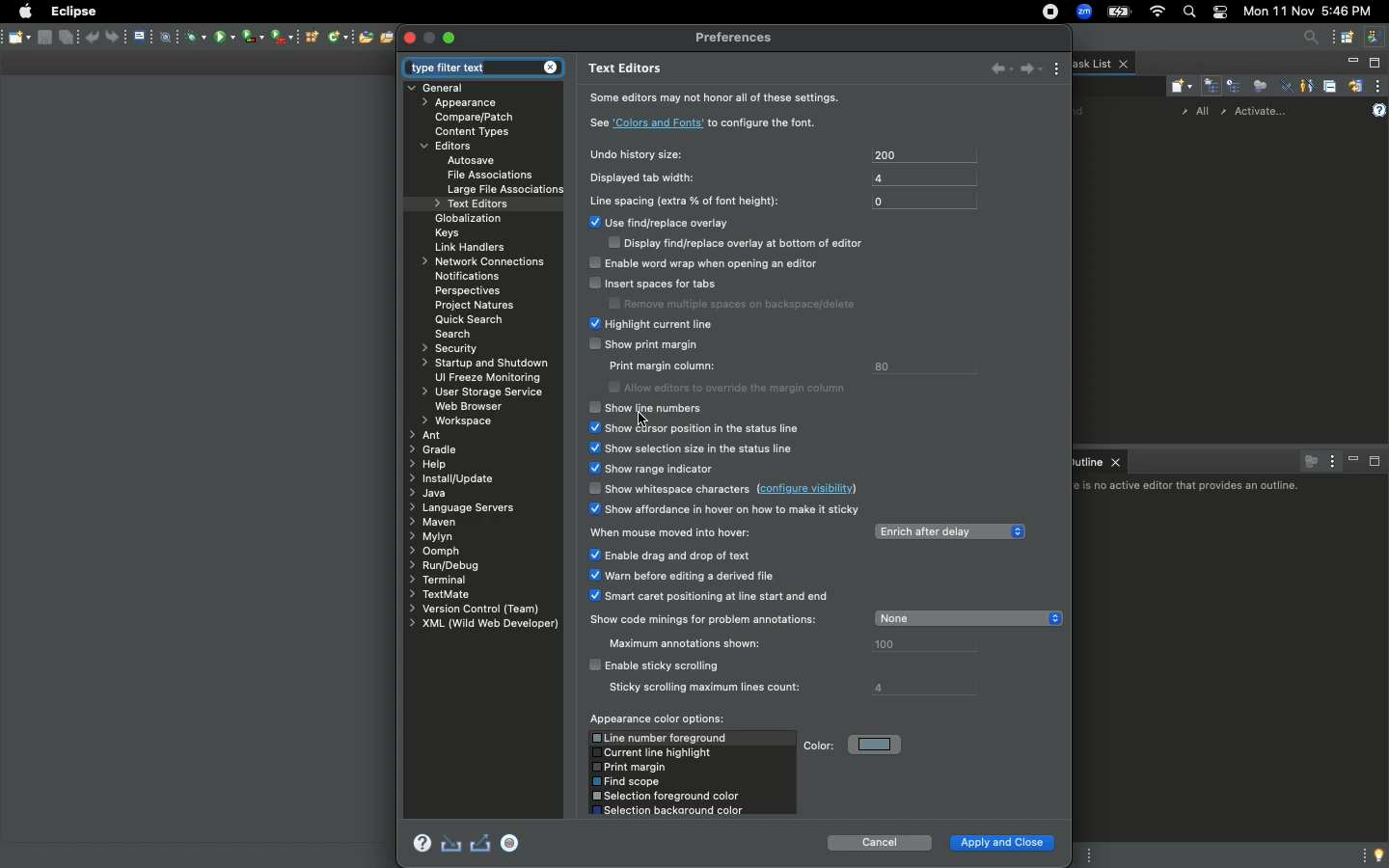  I want to click on Line spacing, so click(692, 200).